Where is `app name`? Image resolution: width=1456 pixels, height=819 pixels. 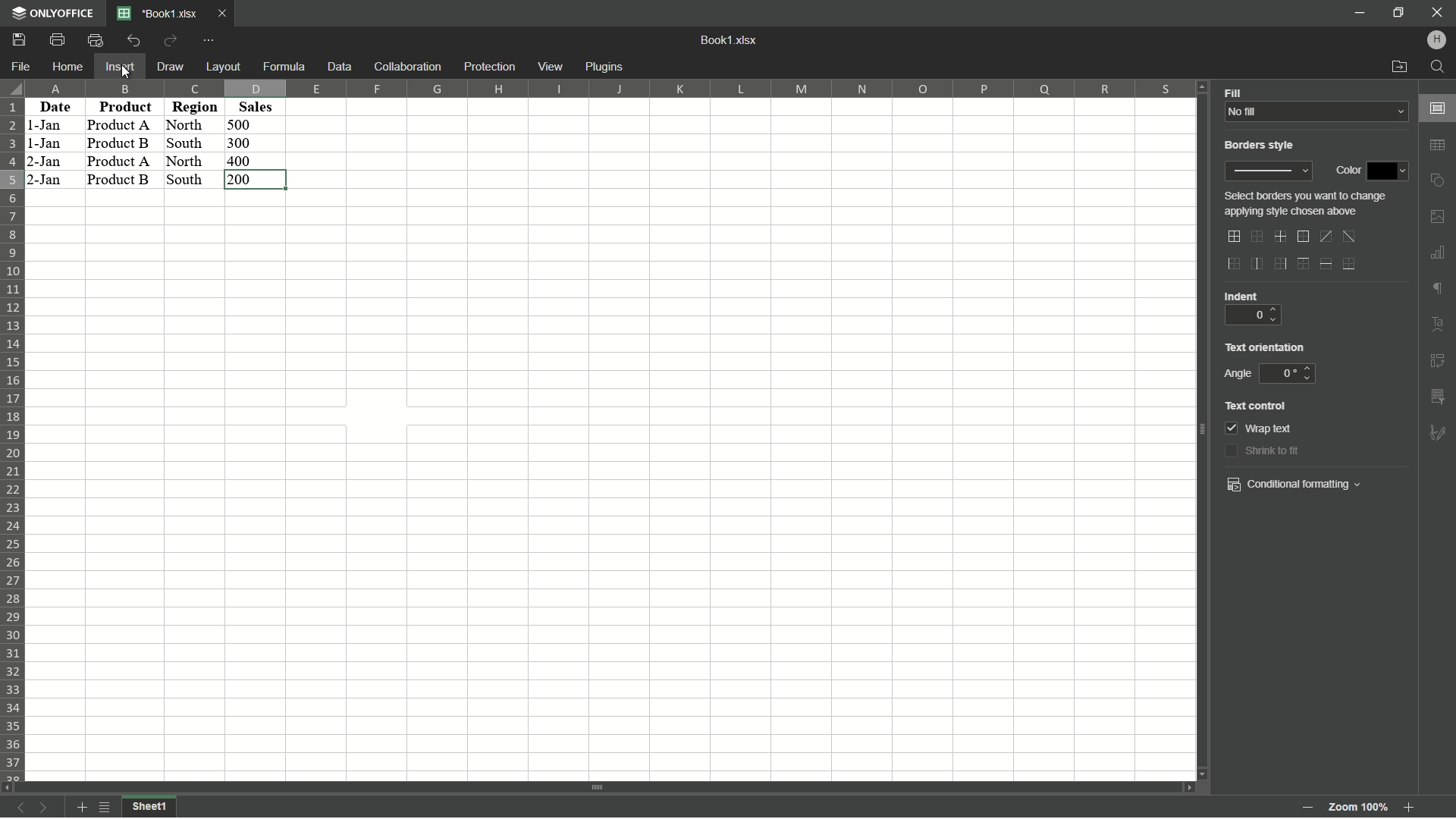
app name is located at coordinates (52, 14).